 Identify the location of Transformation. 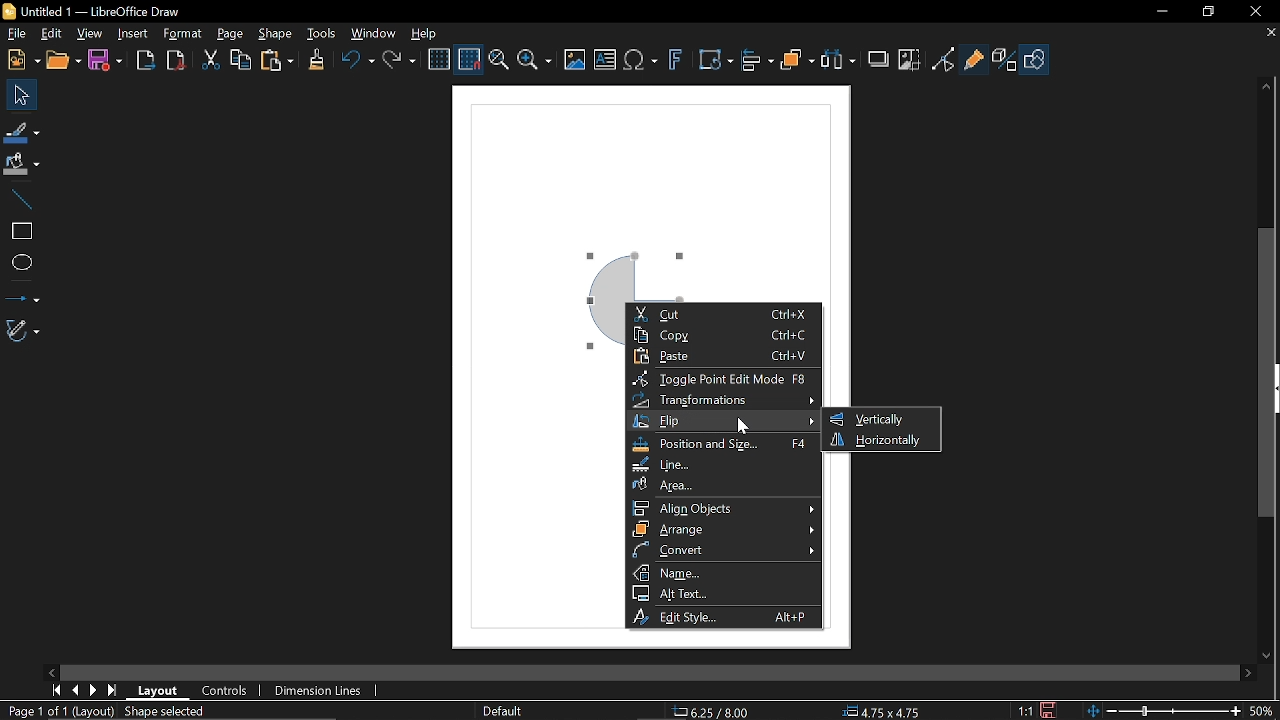
(723, 400).